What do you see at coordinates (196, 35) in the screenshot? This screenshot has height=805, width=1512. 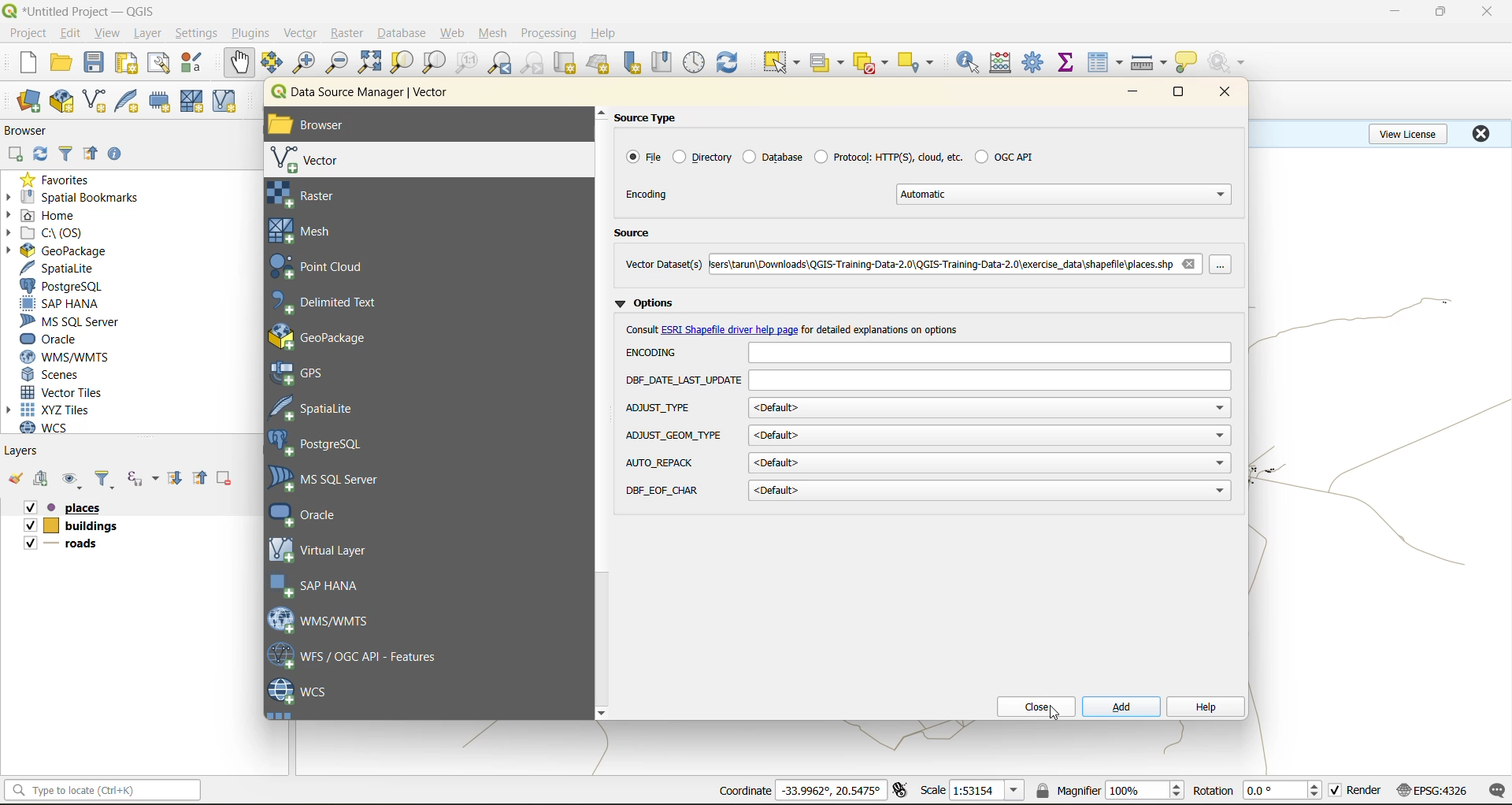 I see `settings` at bounding box center [196, 35].